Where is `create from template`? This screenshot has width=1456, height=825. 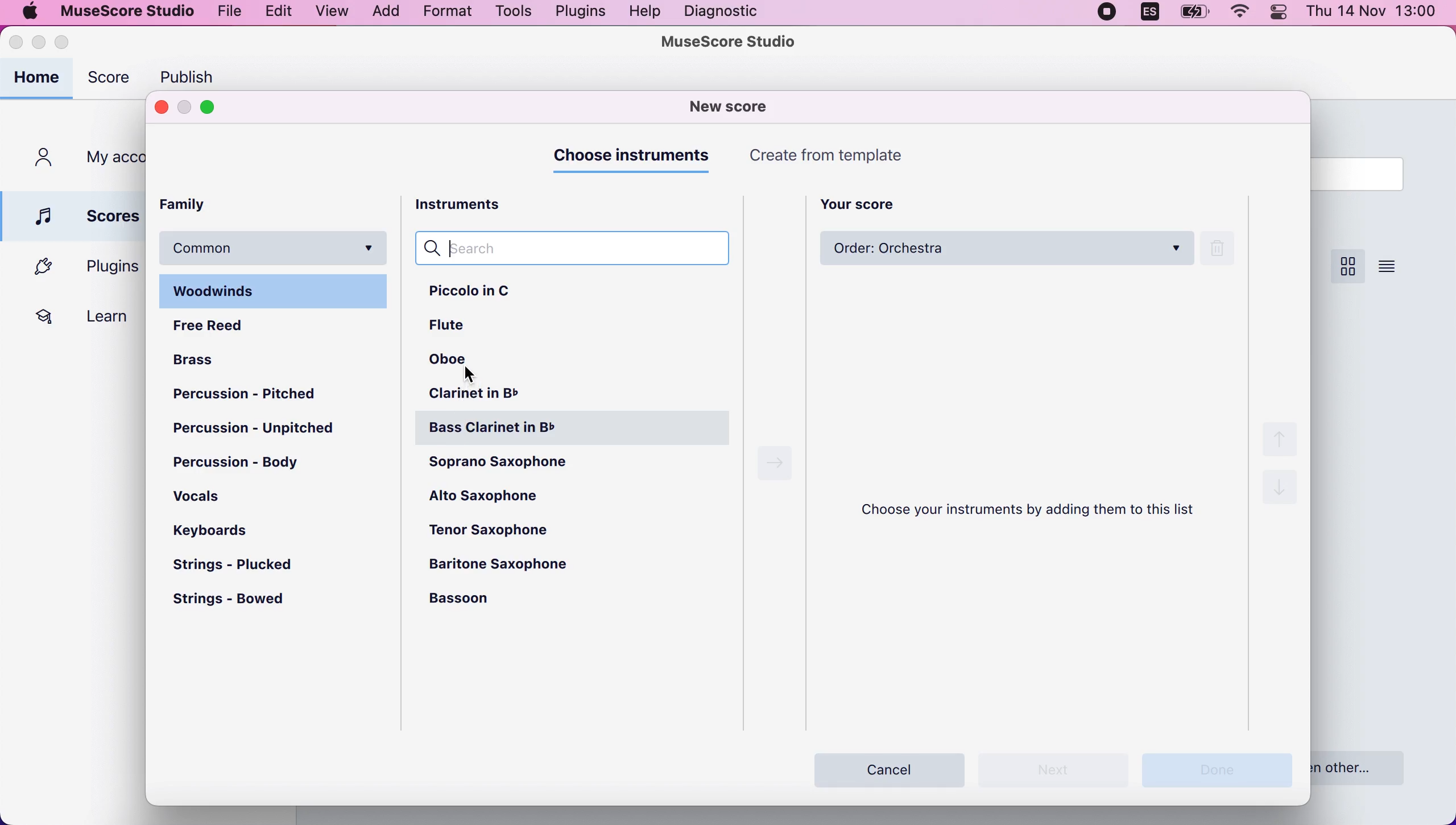 create from template is located at coordinates (835, 157).